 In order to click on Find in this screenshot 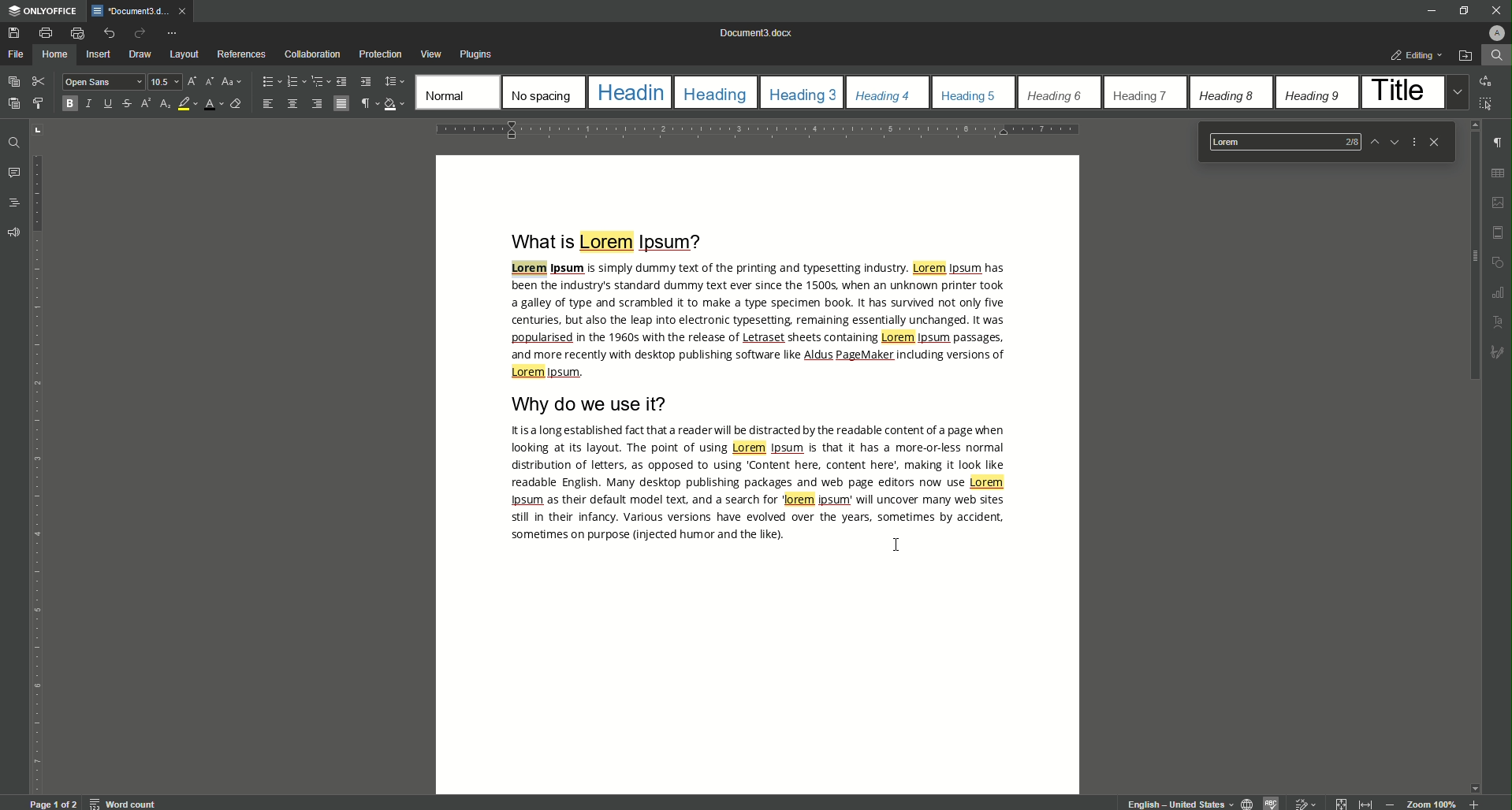, I will do `click(1278, 142)`.